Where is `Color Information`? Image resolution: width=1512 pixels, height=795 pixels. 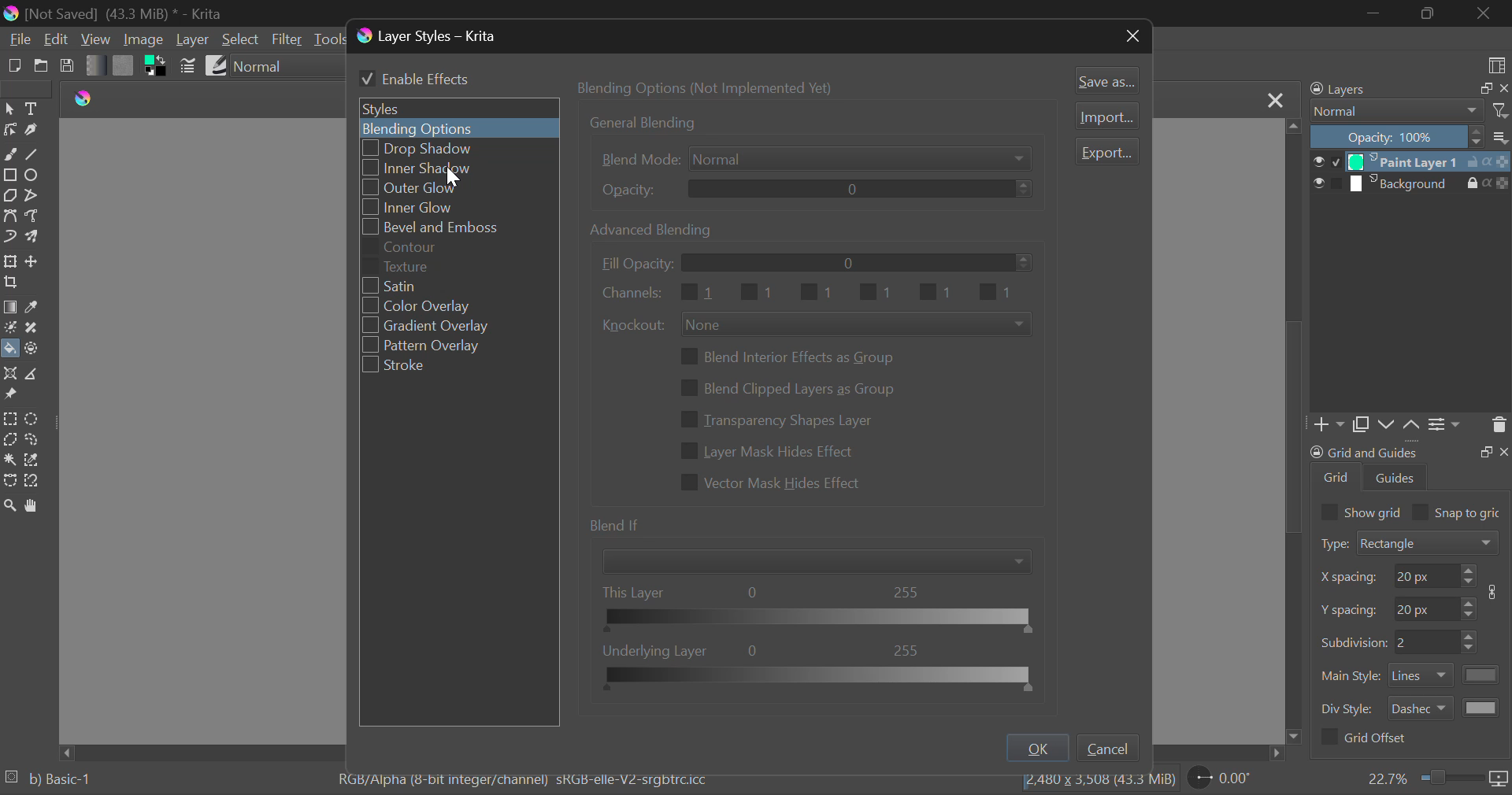
Color Information is located at coordinates (517, 786).